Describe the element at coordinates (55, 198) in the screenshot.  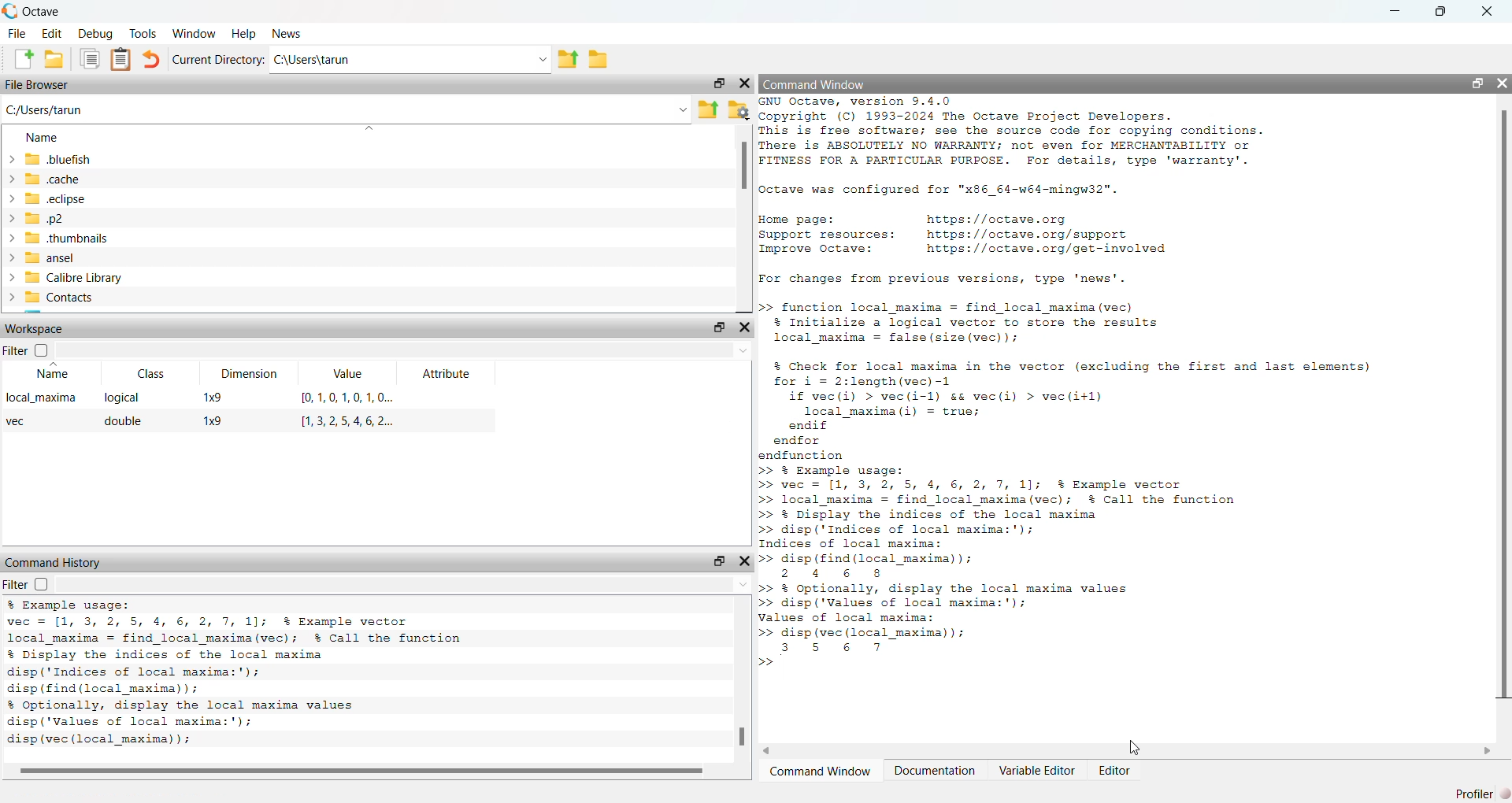
I see `.eclipse` at that location.